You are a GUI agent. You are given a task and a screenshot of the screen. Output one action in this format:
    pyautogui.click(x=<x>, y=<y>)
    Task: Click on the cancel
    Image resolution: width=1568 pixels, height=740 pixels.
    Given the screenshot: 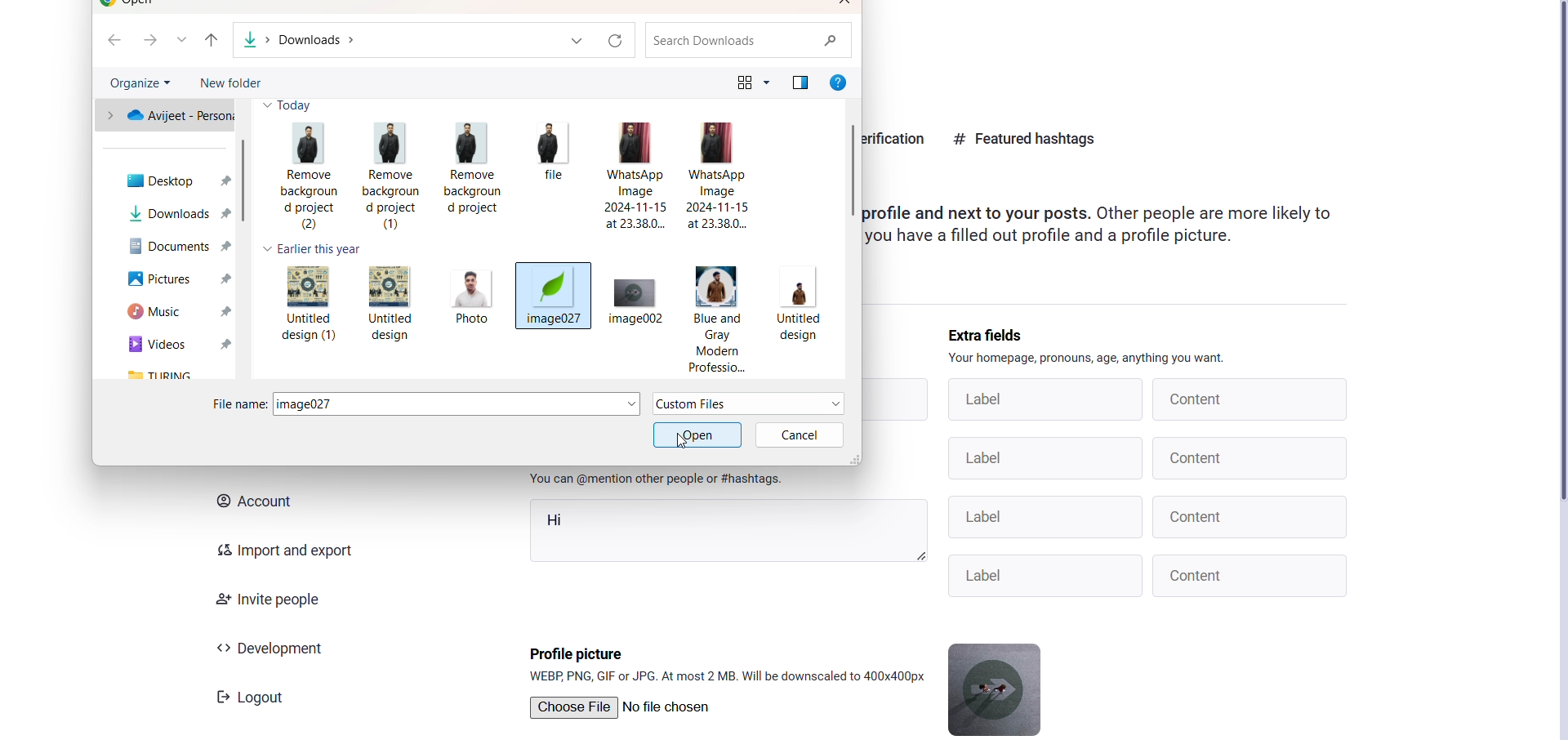 What is the action you would take?
    pyautogui.click(x=800, y=435)
    